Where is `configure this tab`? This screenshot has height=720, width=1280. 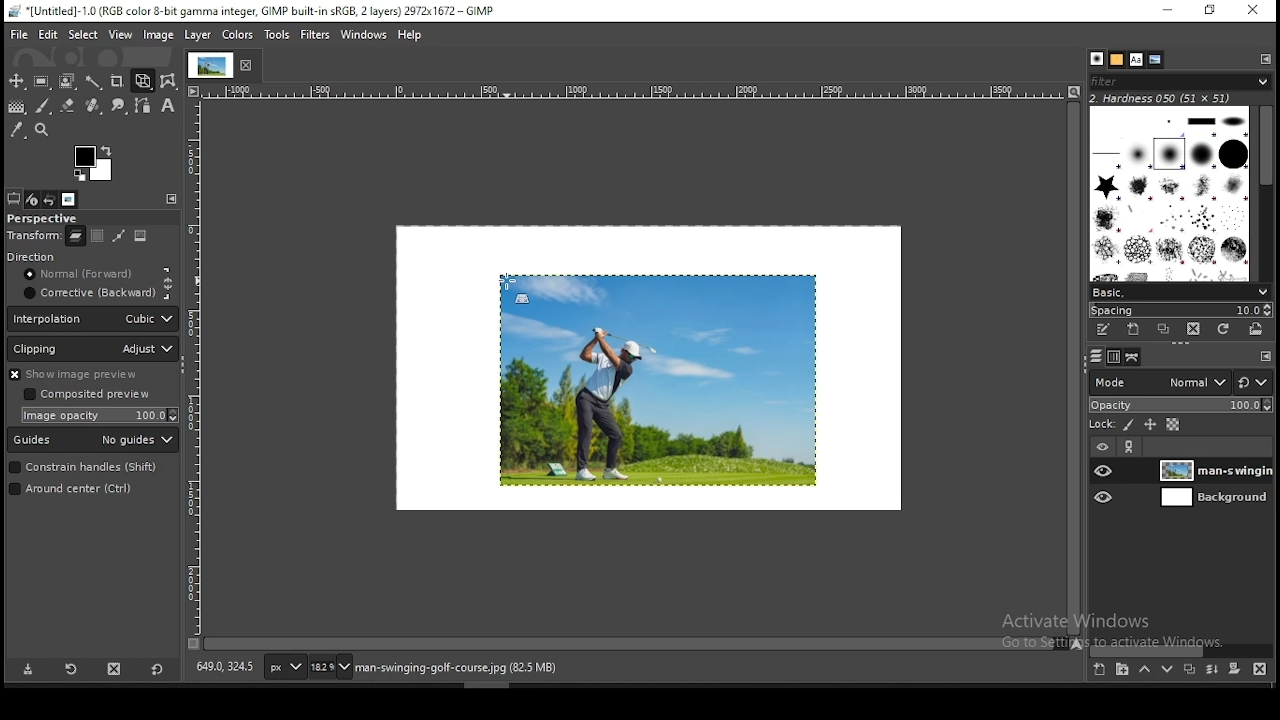
configure this tab is located at coordinates (172, 199).